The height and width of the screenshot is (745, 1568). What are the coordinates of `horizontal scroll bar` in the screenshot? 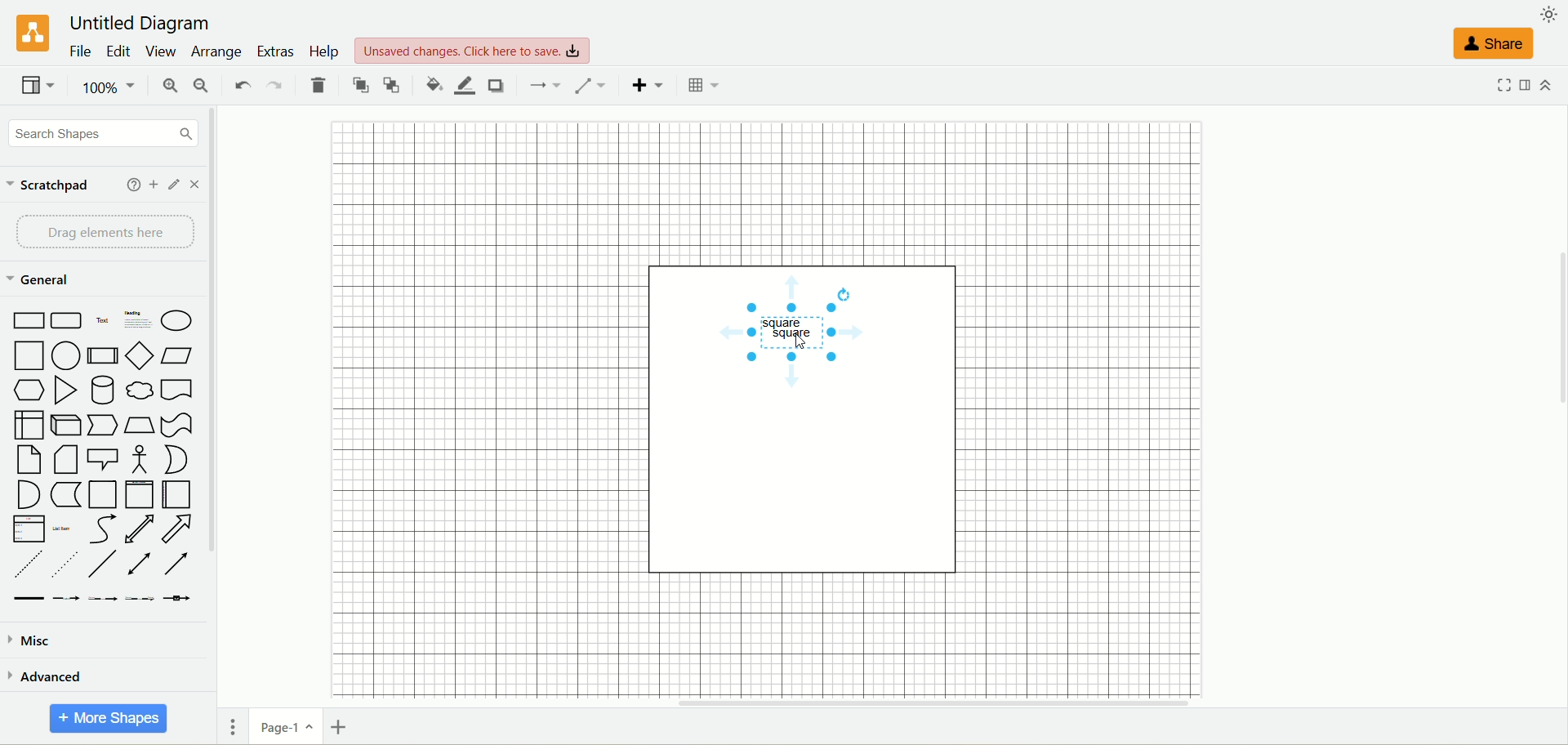 It's located at (894, 702).